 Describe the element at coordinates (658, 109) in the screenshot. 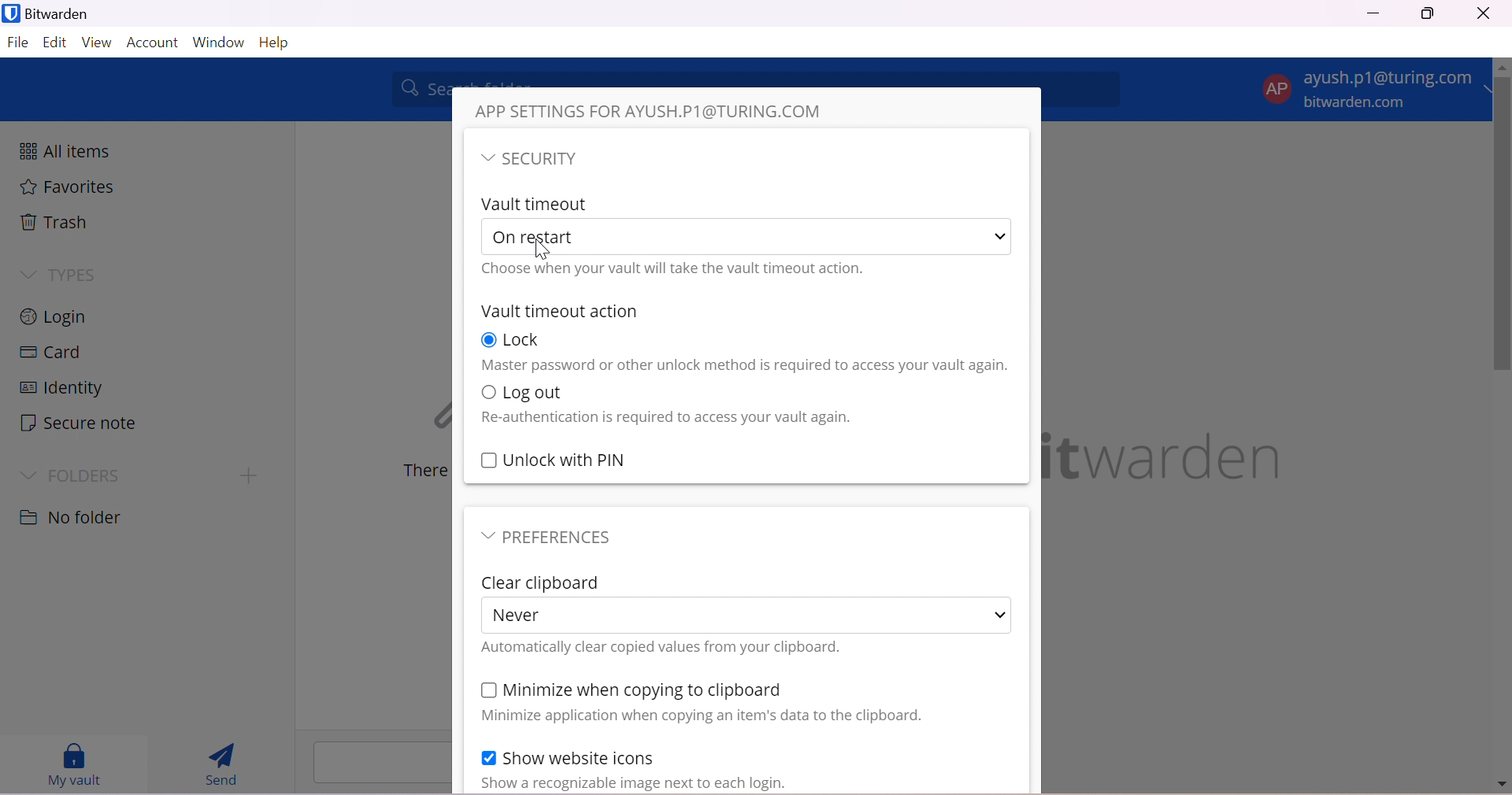

I see `APP SETTINGS FOR AYUSH.P1@TURING.COM` at that location.